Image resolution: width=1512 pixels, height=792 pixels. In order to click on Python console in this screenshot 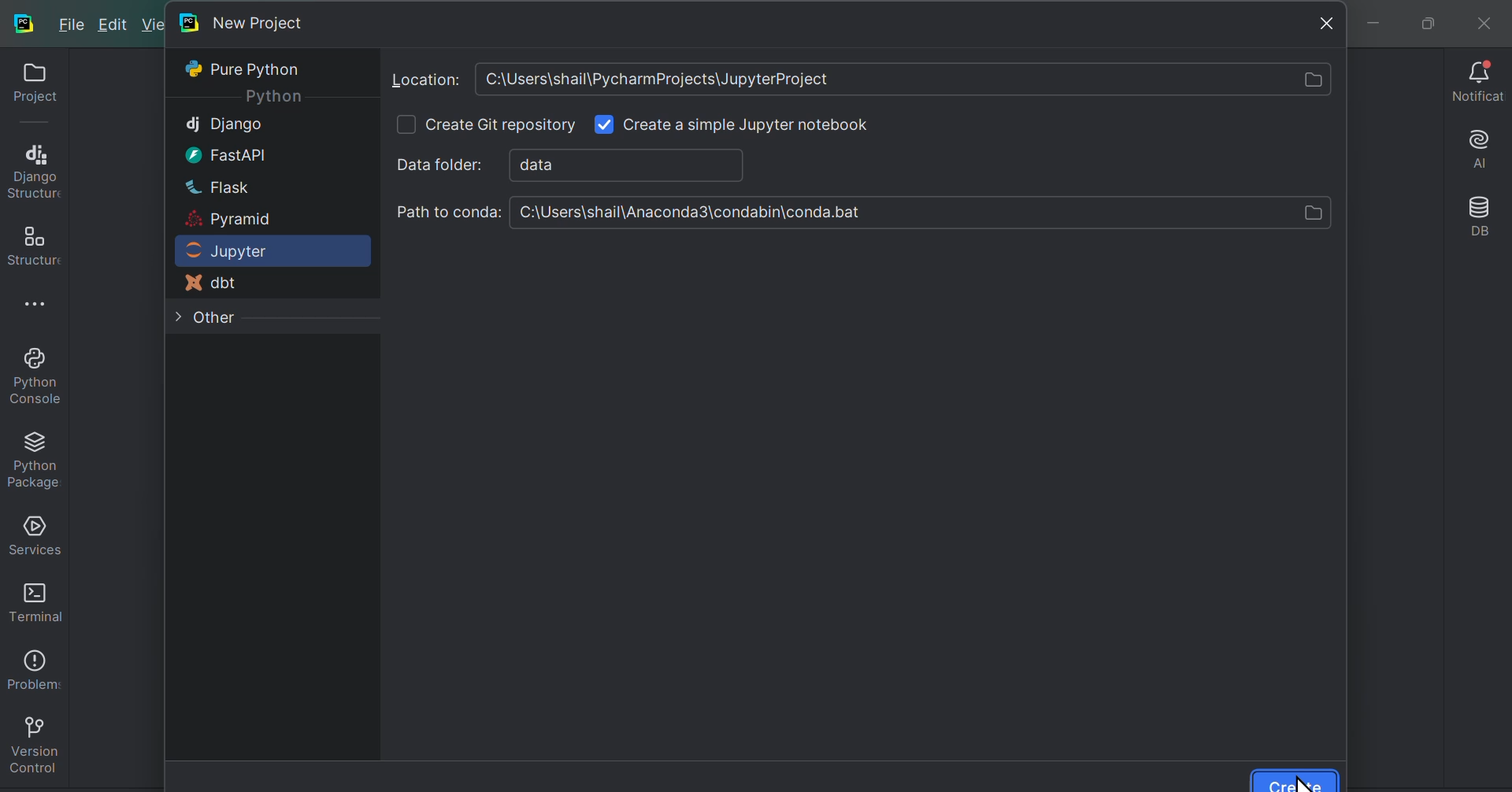, I will do `click(33, 375)`.